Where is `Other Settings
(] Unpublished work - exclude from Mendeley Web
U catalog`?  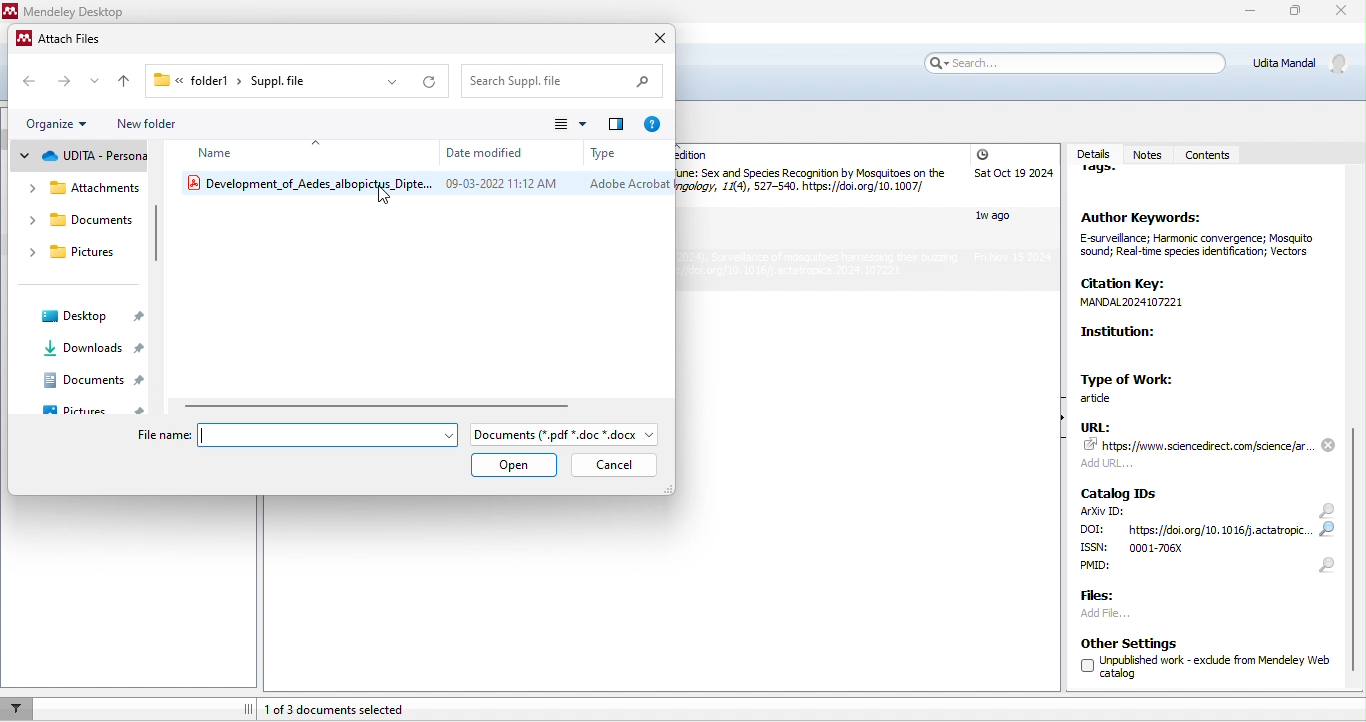
Other Settings
(] Unpublished work - exclude from Mendeley Web
U catalog is located at coordinates (1201, 660).